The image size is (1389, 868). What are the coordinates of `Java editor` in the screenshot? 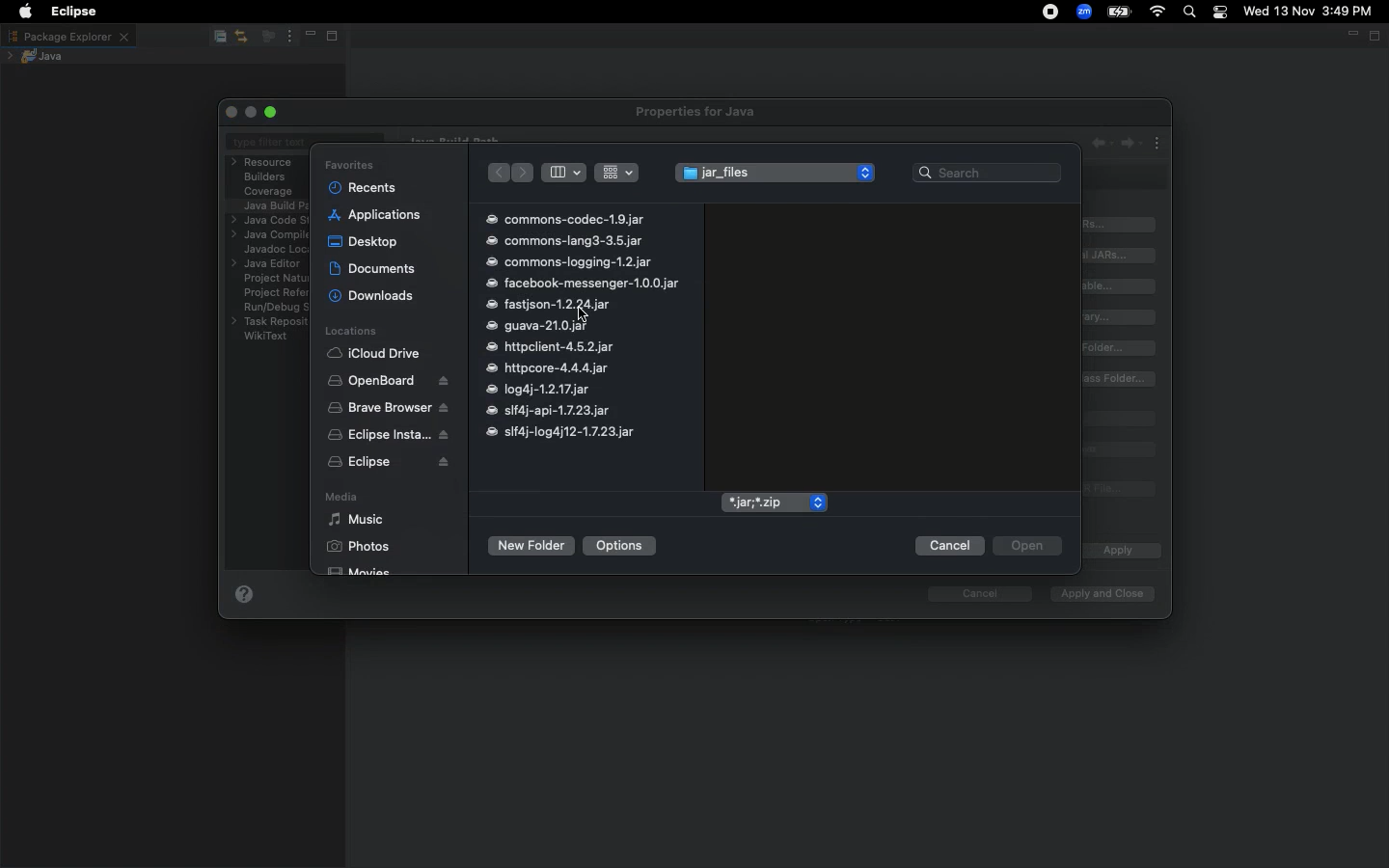 It's located at (269, 264).